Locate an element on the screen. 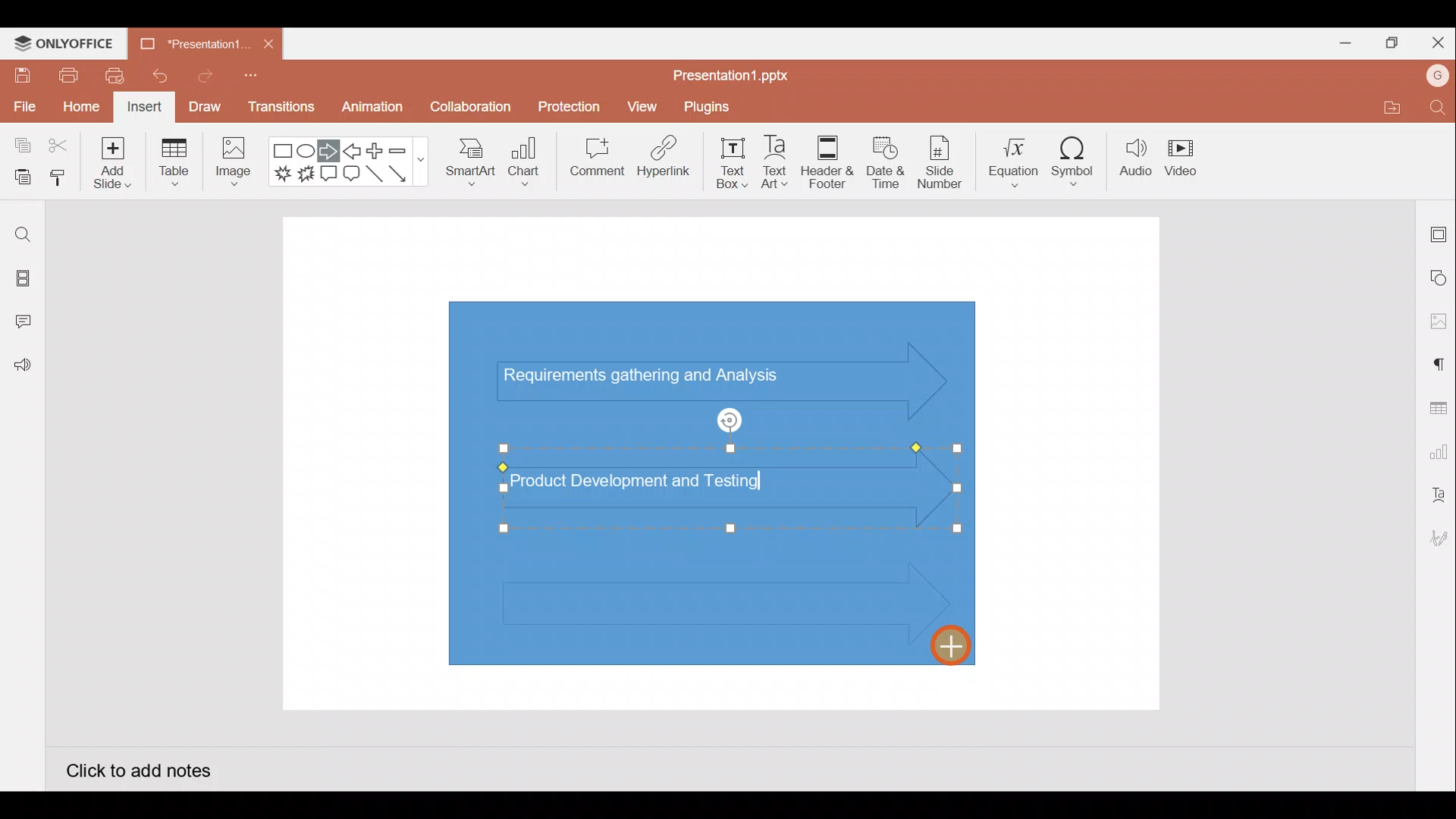  Slide number is located at coordinates (939, 162).